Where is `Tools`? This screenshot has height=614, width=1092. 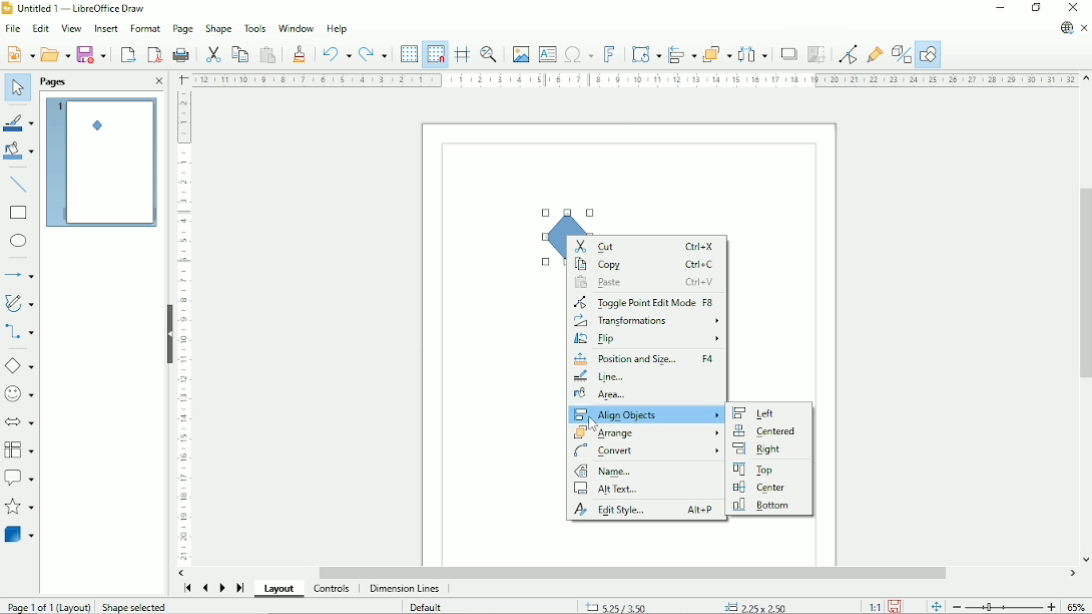 Tools is located at coordinates (255, 27).